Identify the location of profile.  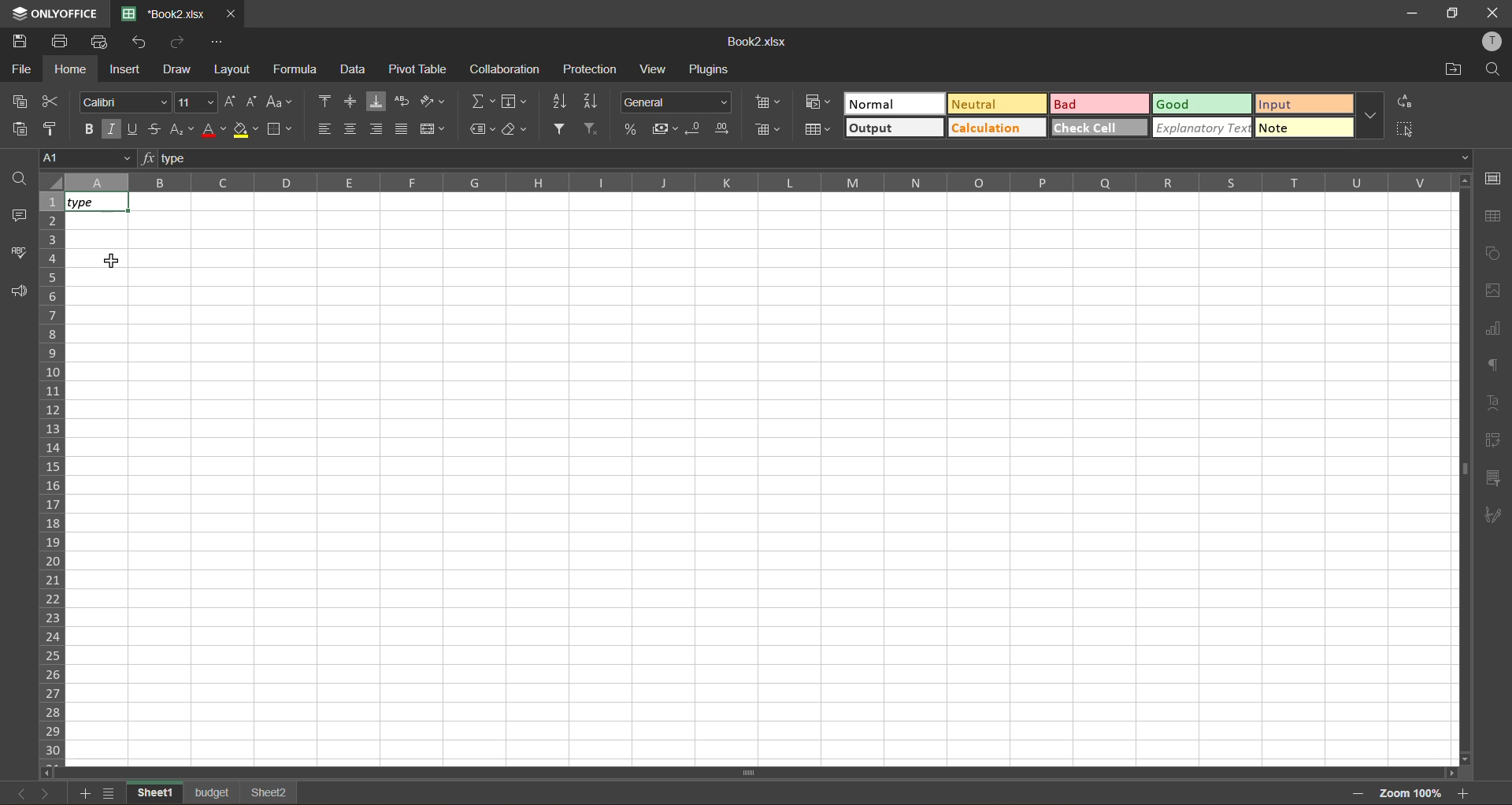
(1489, 42).